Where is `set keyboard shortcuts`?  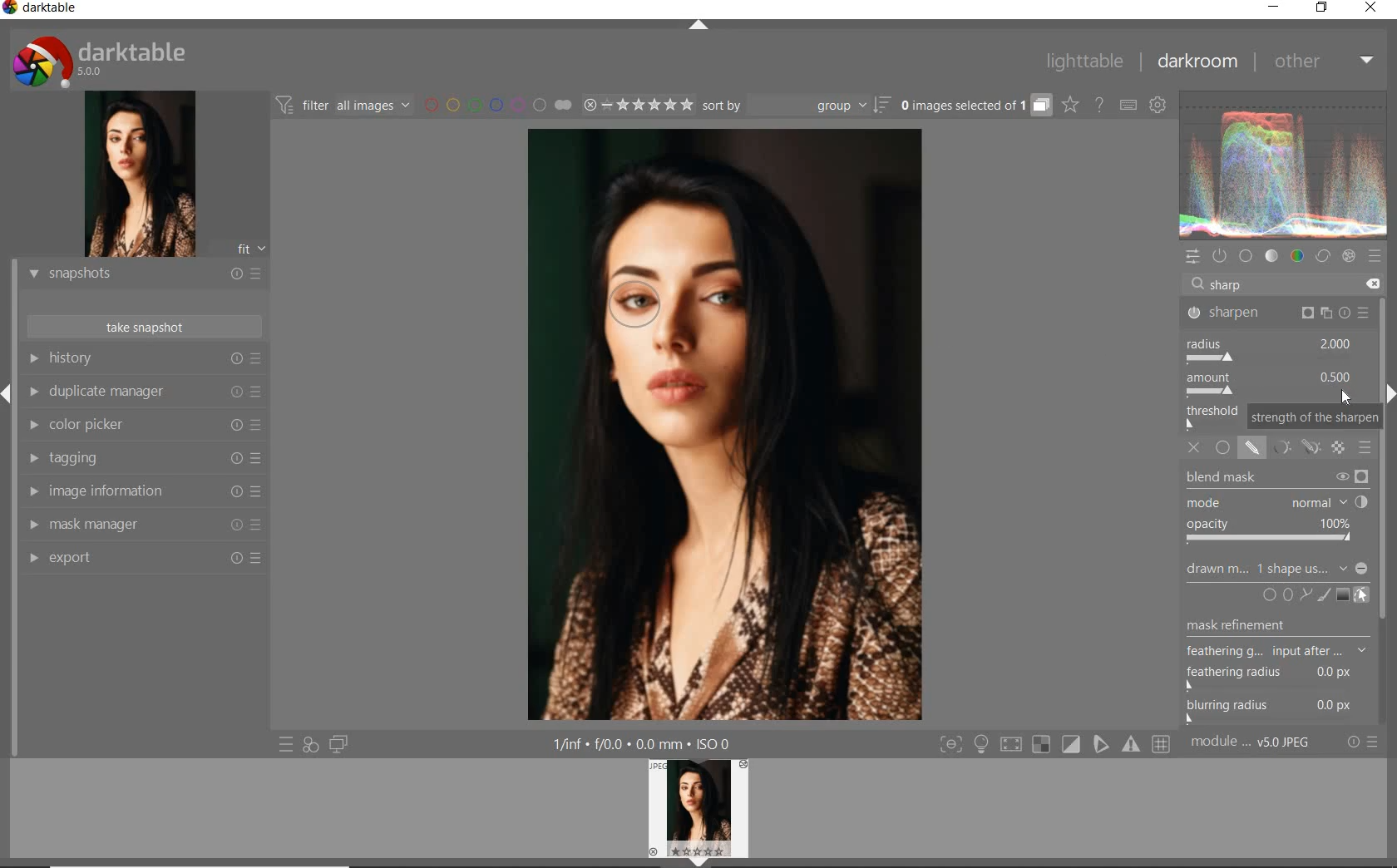
set keyboard shortcuts is located at coordinates (1129, 106).